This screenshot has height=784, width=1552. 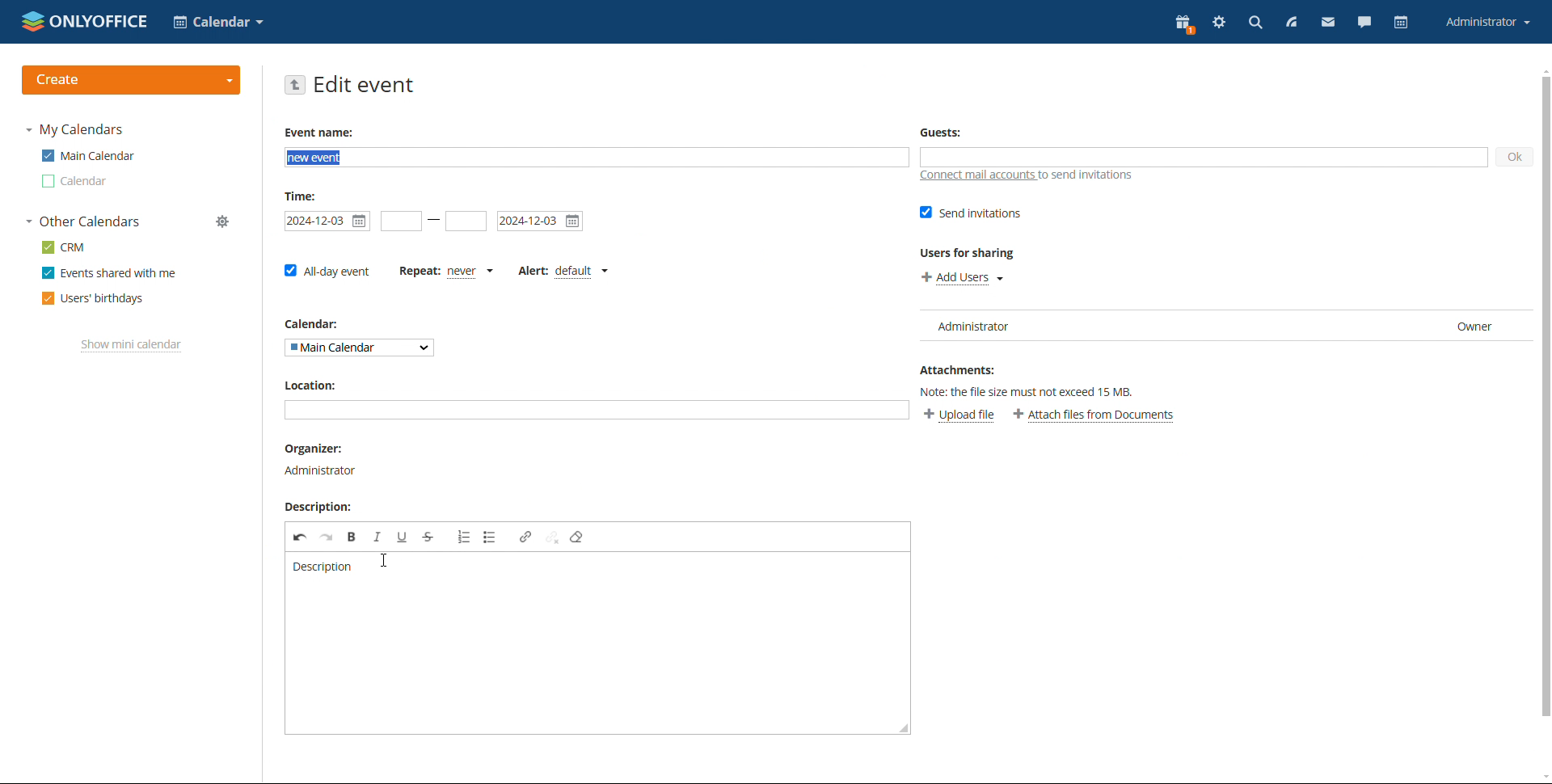 I want to click on mail, so click(x=1327, y=23).